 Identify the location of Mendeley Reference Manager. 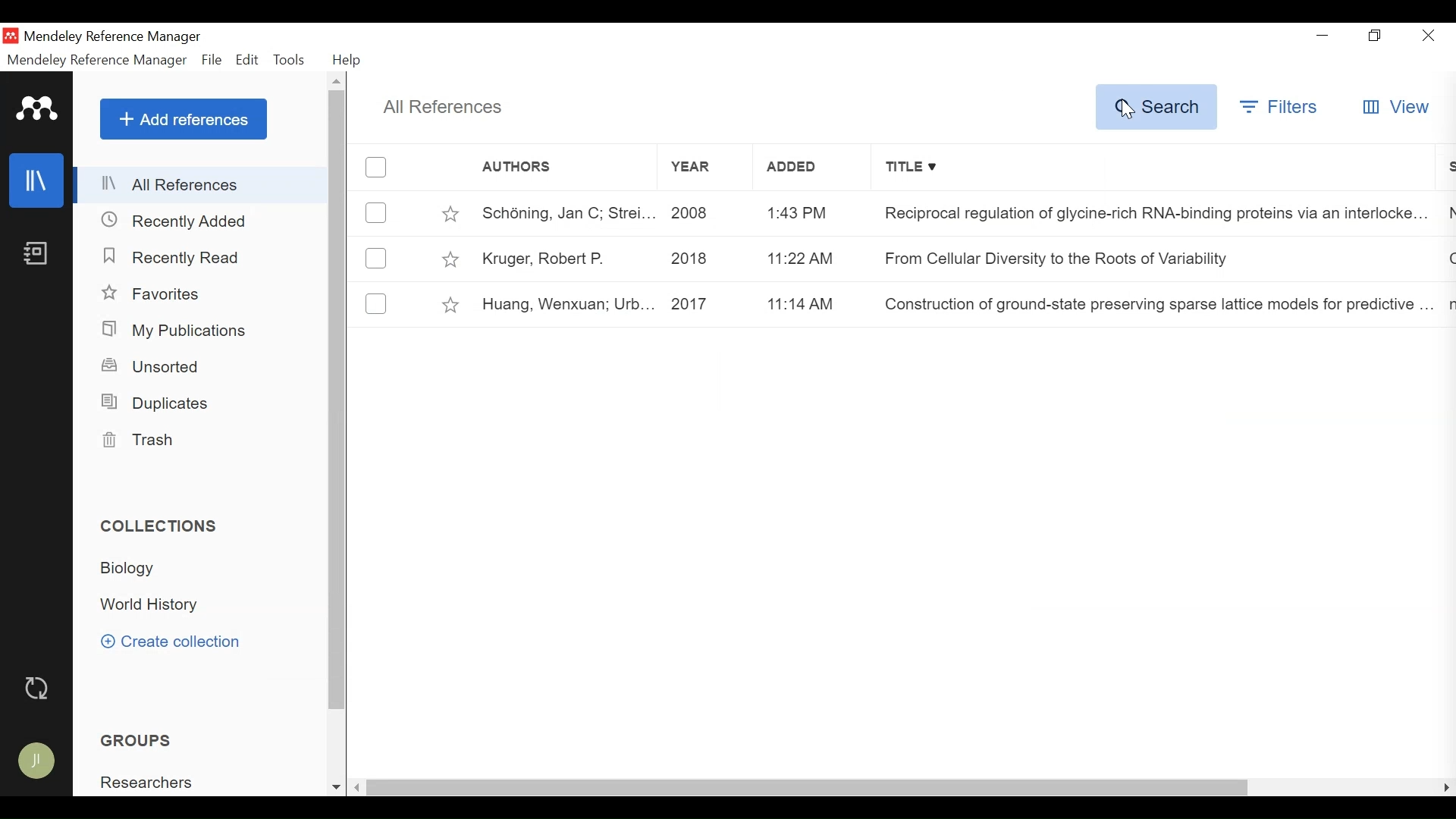
(116, 39).